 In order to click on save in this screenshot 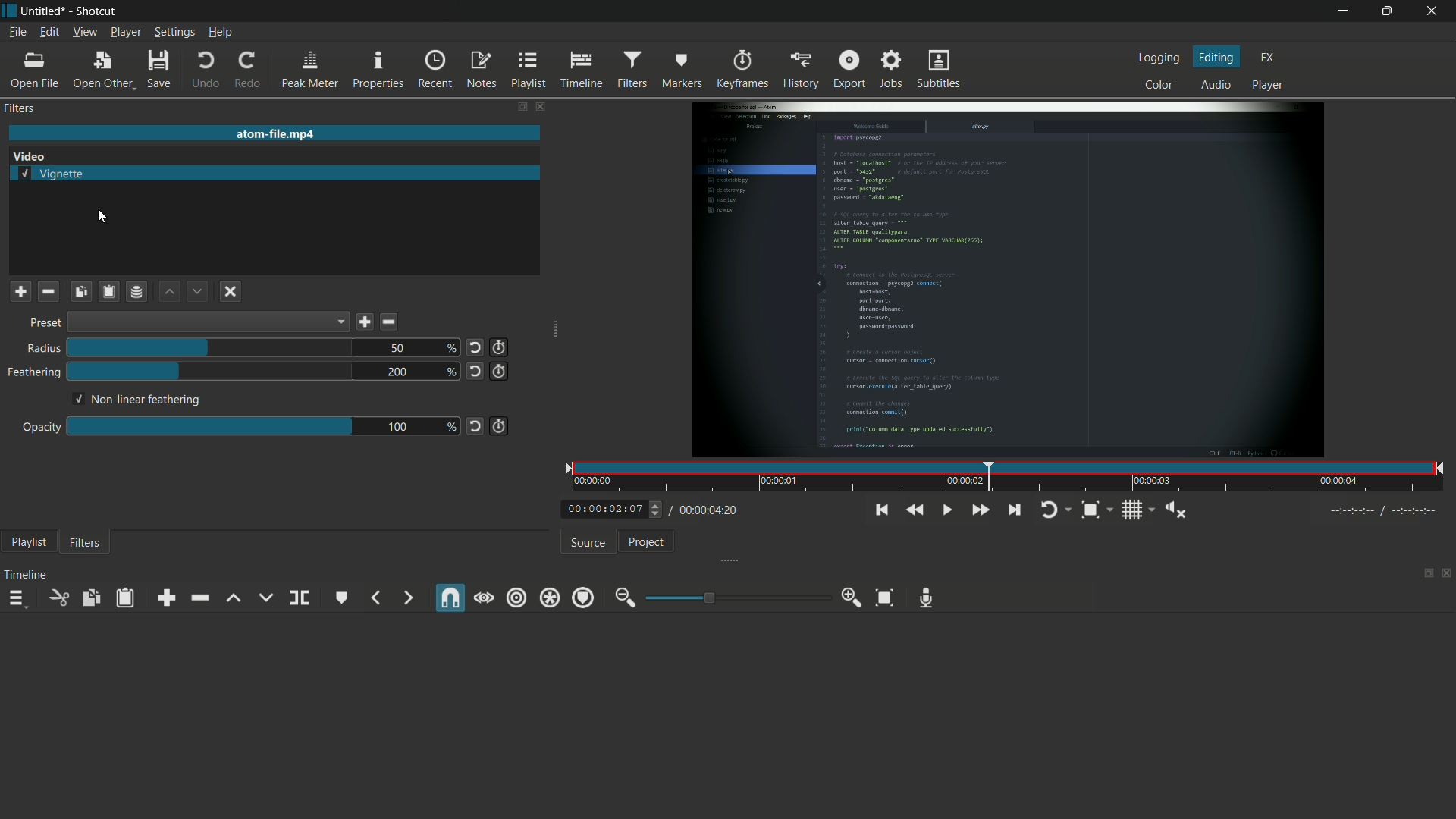, I will do `click(160, 69)`.